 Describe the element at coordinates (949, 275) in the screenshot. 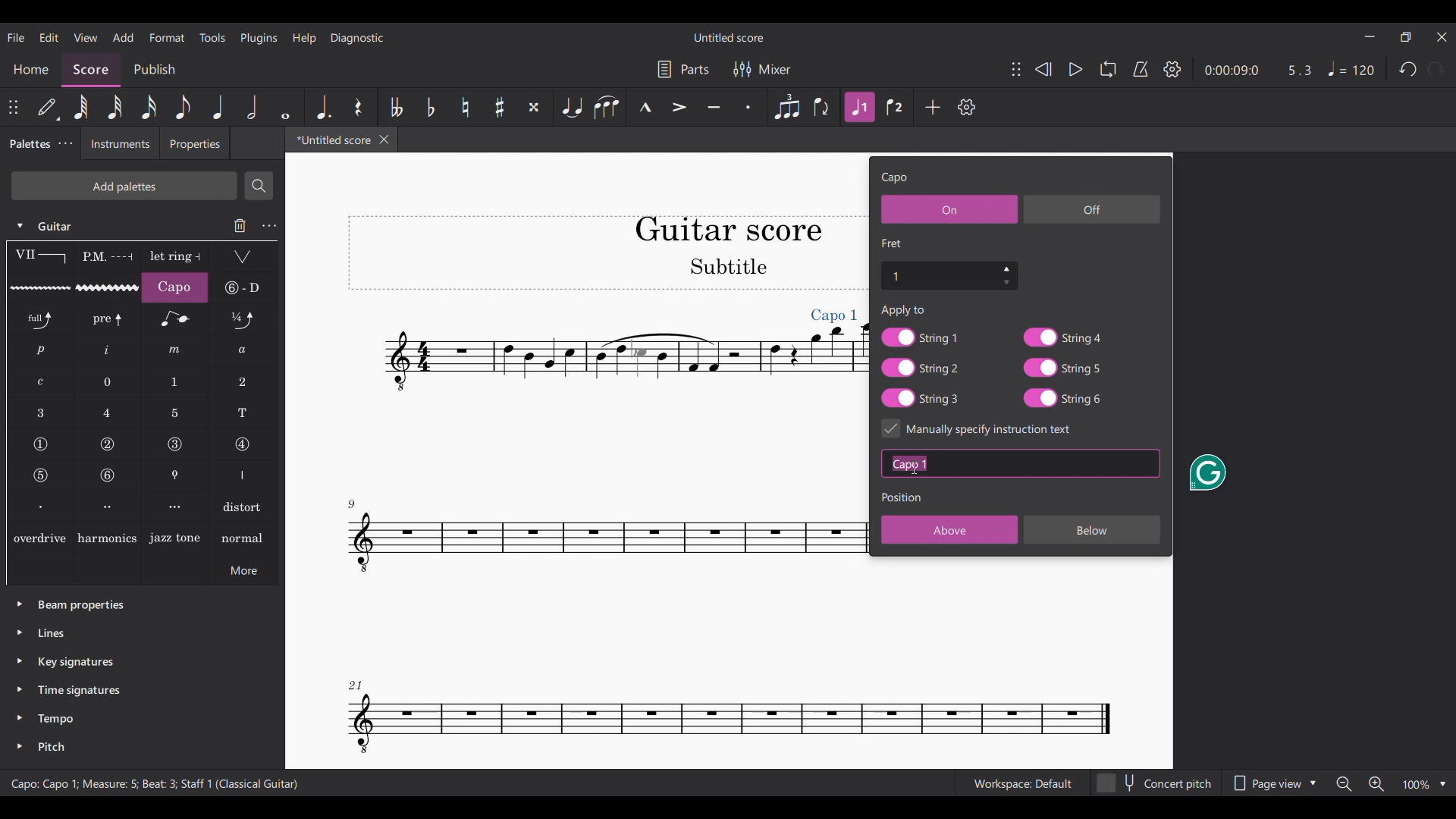

I see `Fret number settings` at that location.